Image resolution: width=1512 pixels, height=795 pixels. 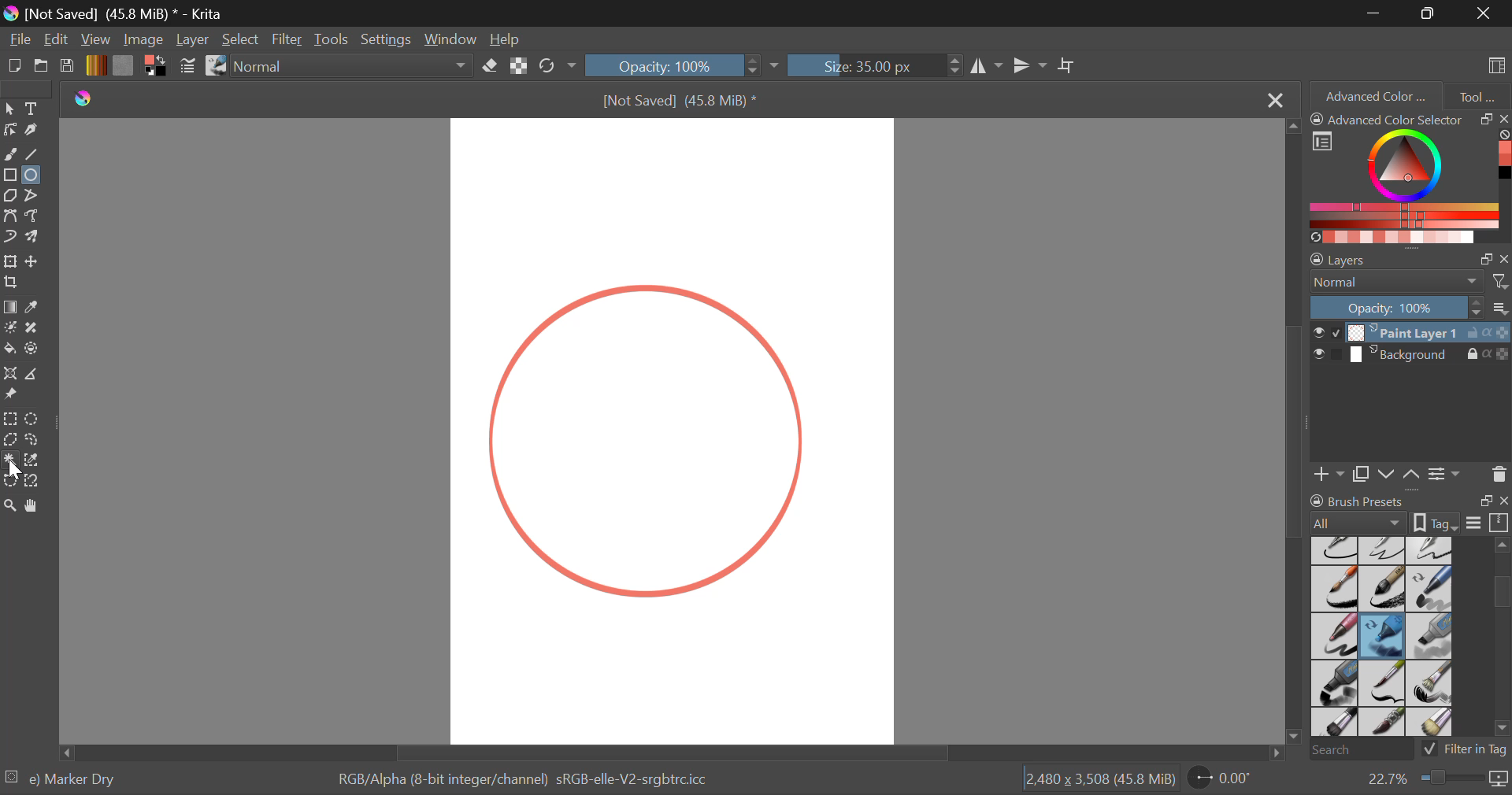 I want to click on Birstles-5 Plain, so click(x=1433, y=723).